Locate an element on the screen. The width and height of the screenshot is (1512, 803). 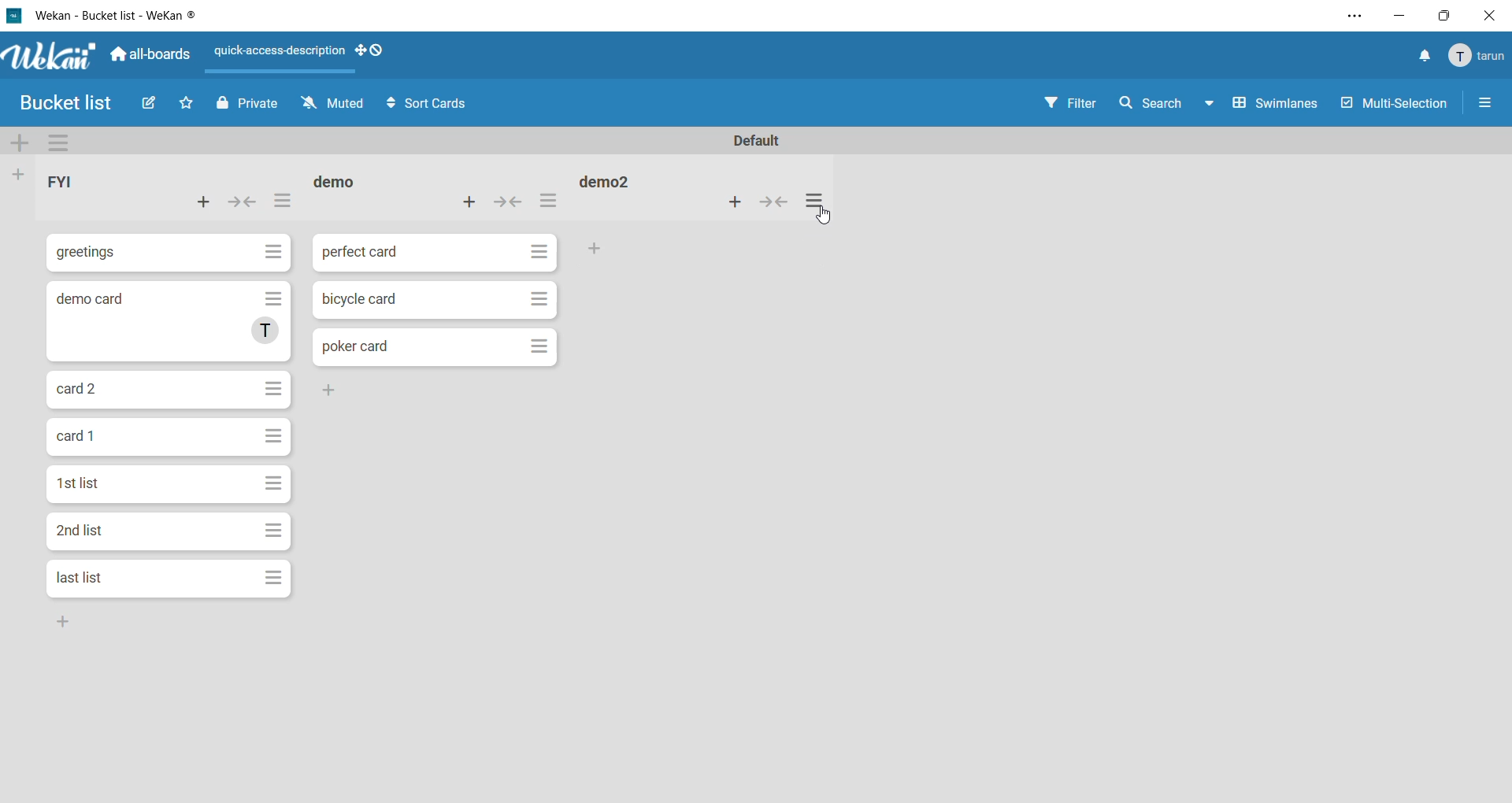
Favorite  is located at coordinates (187, 102).